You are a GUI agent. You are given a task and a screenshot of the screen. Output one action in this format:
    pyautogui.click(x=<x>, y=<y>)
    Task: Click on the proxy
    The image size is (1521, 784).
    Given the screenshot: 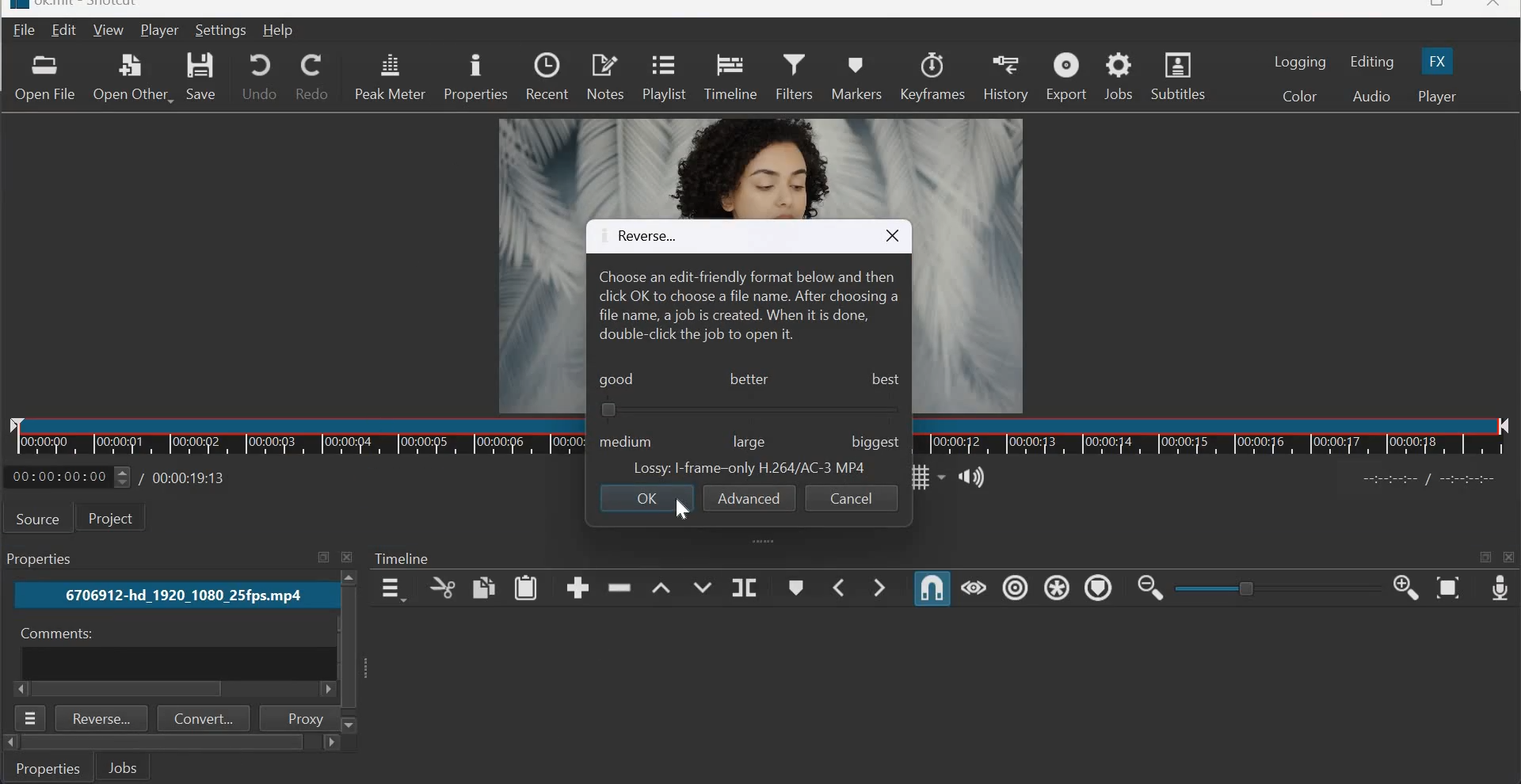 What is the action you would take?
    pyautogui.click(x=297, y=717)
    